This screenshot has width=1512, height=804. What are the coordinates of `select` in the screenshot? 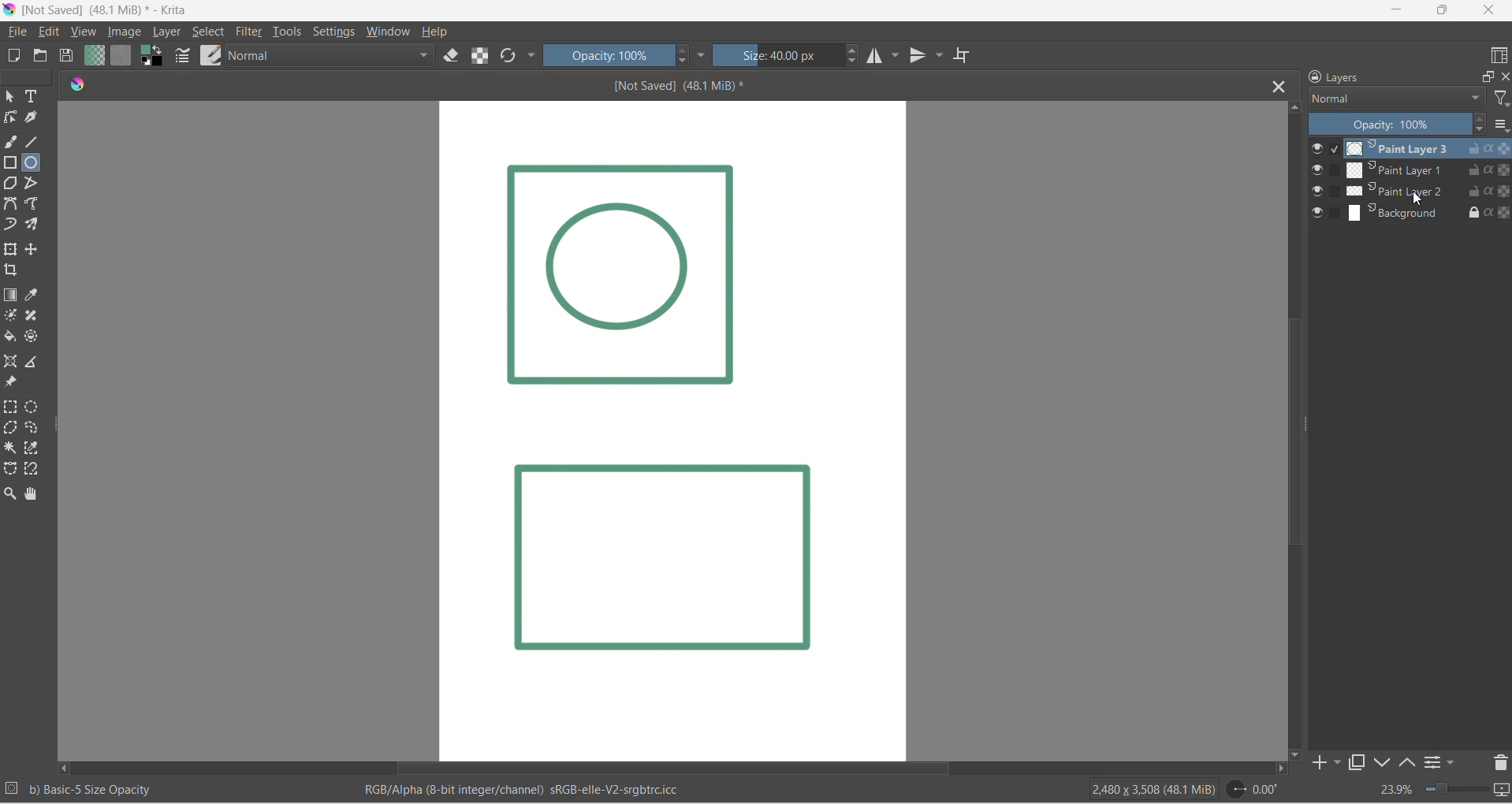 It's located at (11, 97).